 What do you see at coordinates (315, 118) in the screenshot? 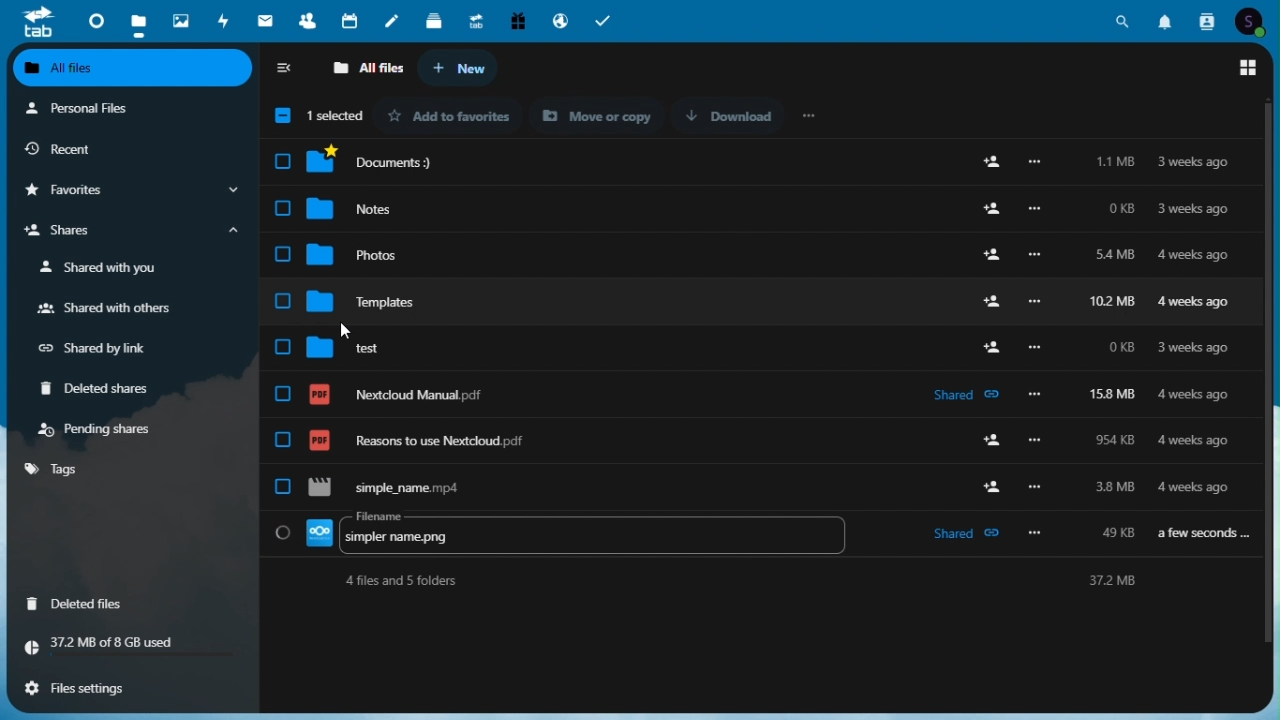
I see `1 selected` at bounding box center [315, 118].